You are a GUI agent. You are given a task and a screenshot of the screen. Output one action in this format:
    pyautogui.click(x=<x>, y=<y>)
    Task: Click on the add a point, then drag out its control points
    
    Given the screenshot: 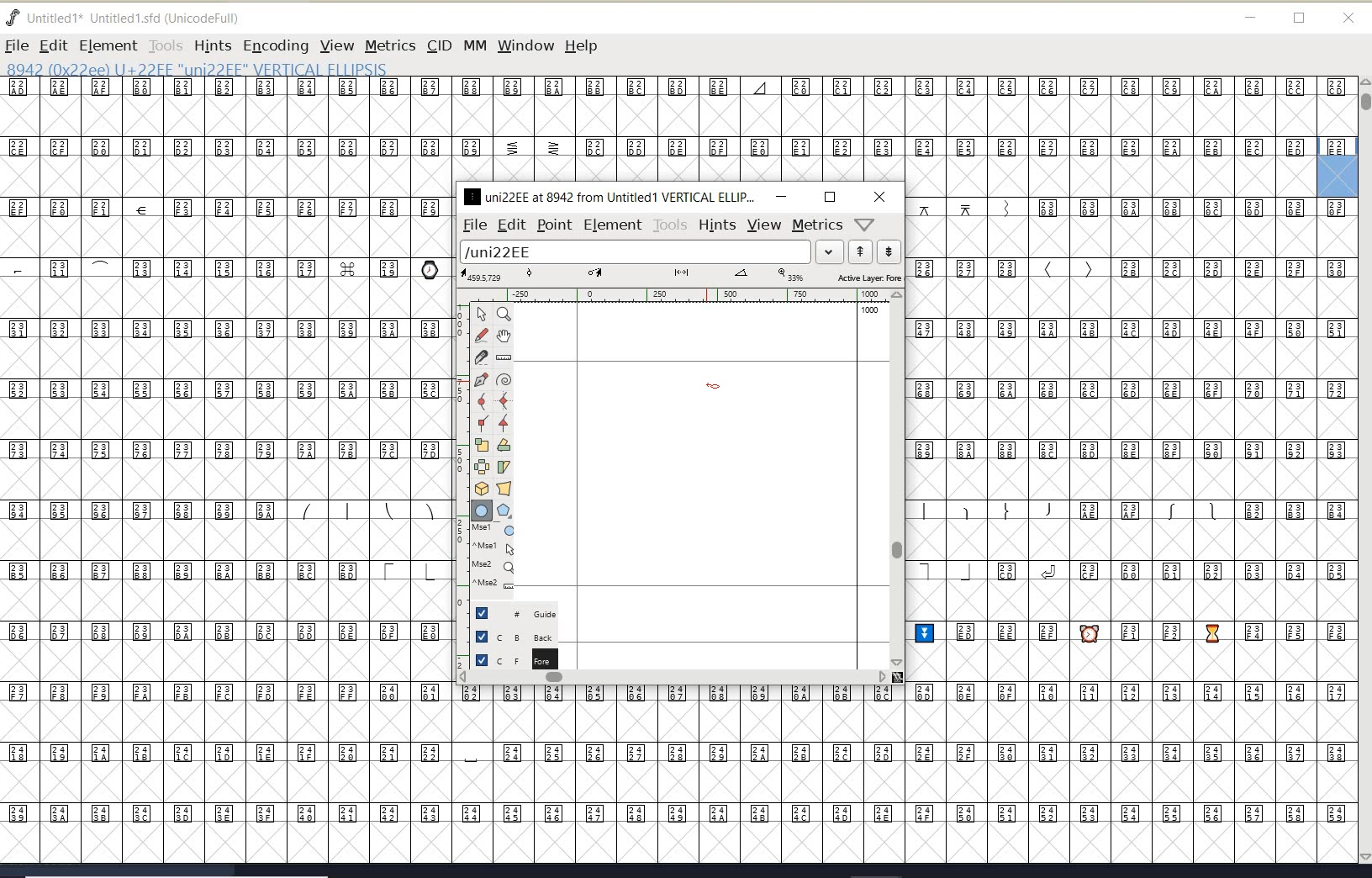 What is the action you would take?
    pyautogui.click(x=481, y=378)
    